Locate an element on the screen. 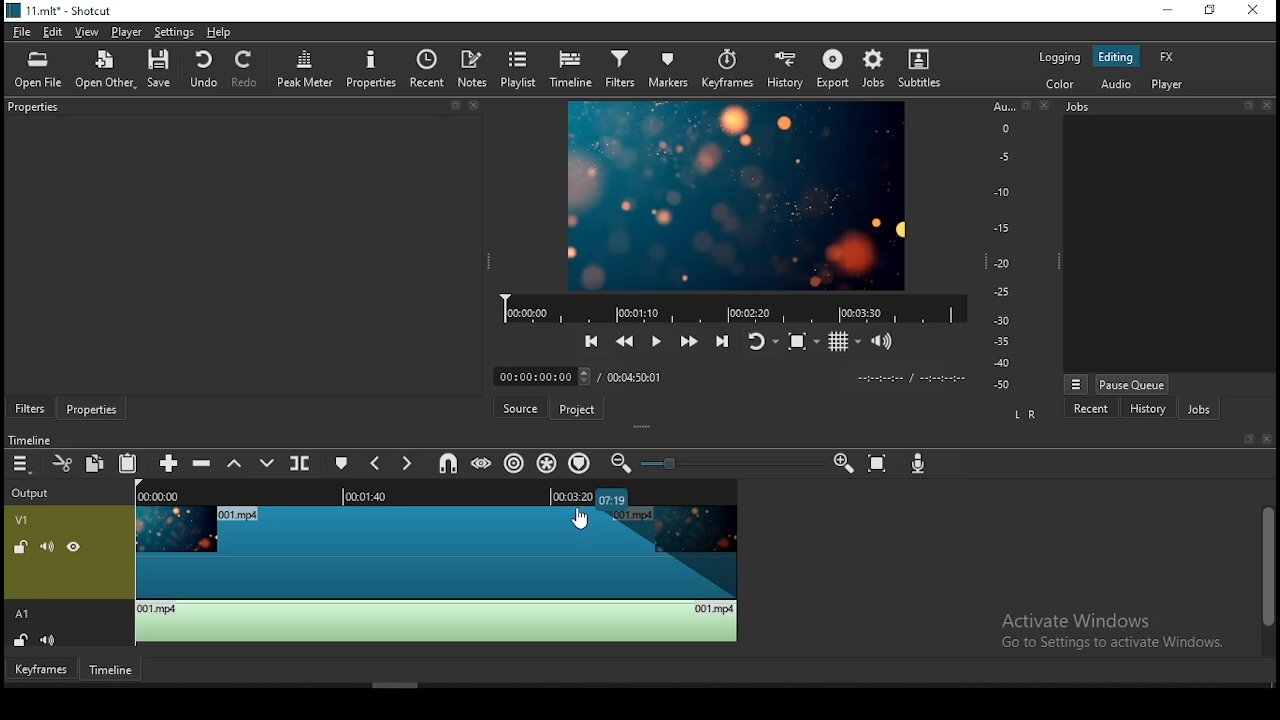 The image size is (1280, 720). play/pause is located at coordinates (656, 343).